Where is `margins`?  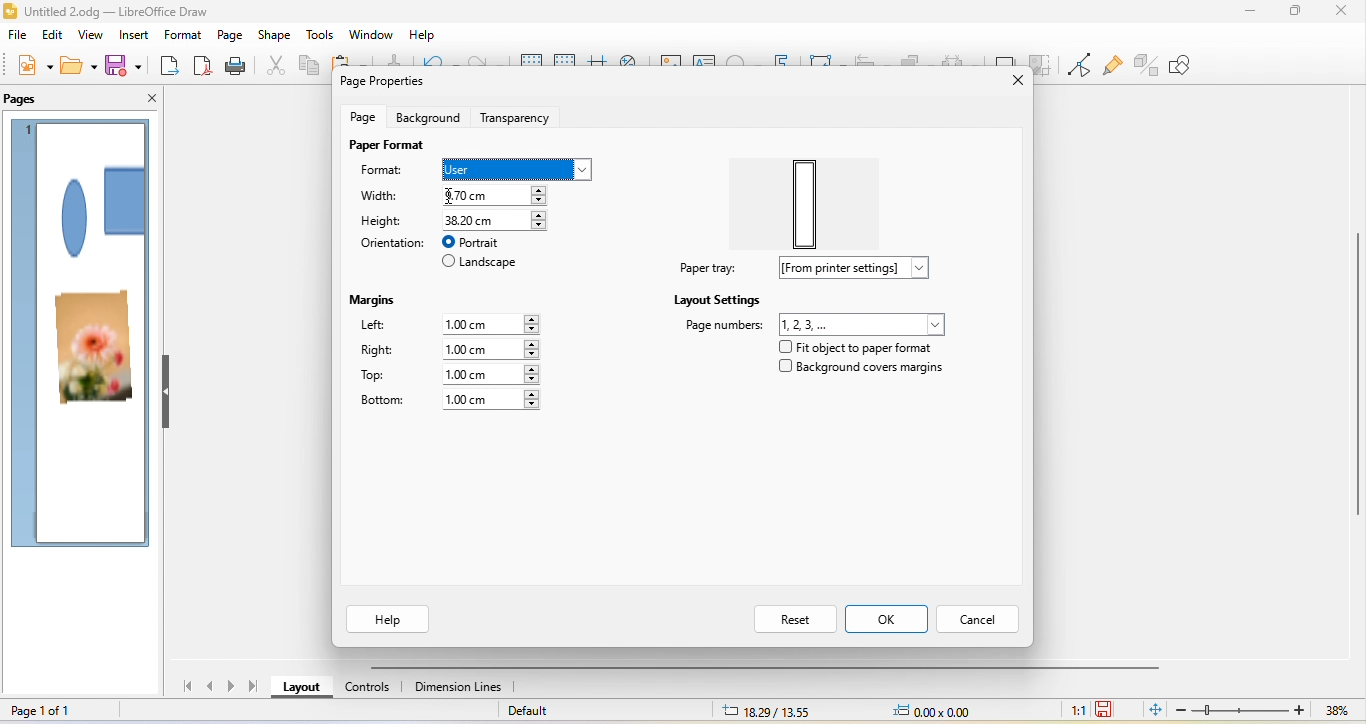 margins is located at coordinates (375, 301).